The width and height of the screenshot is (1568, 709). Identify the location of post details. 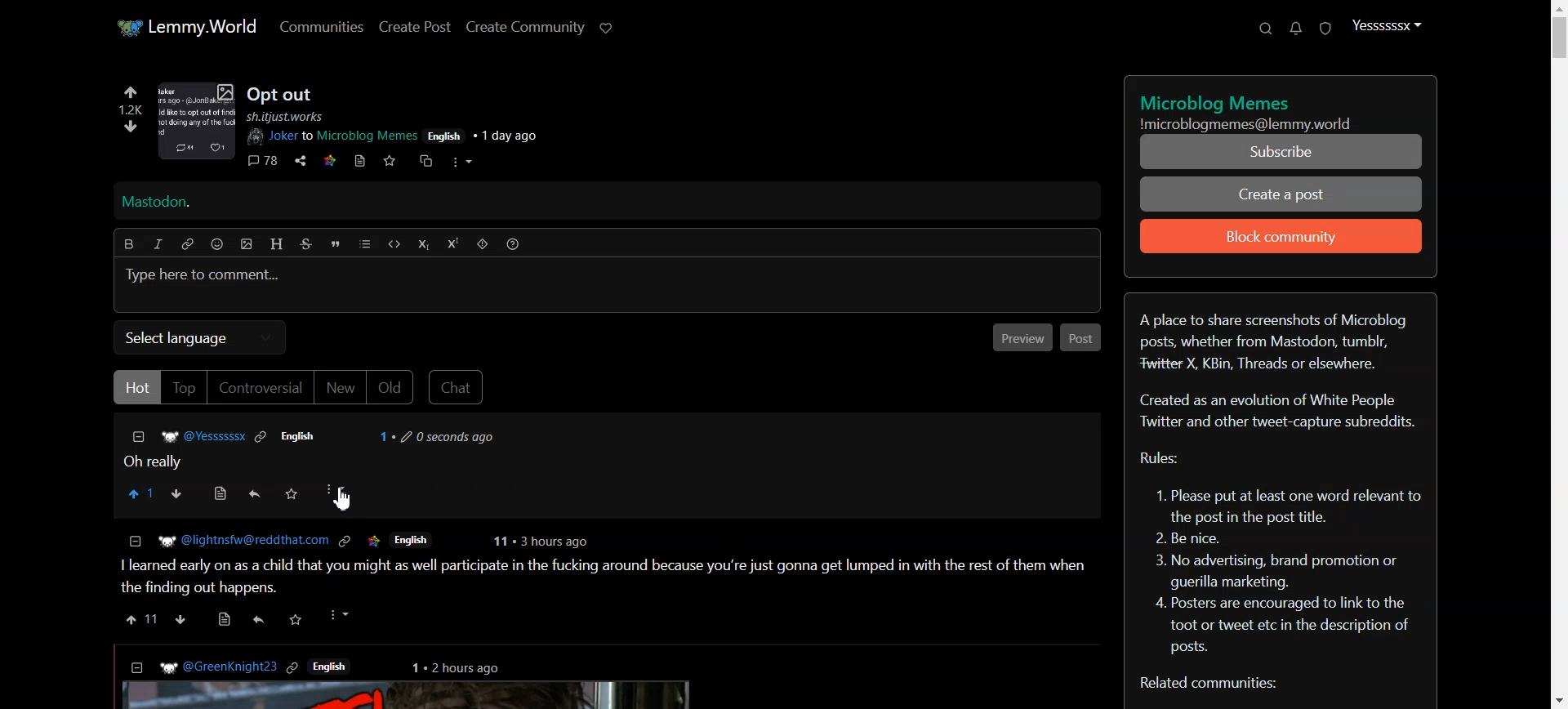
(413, 130).